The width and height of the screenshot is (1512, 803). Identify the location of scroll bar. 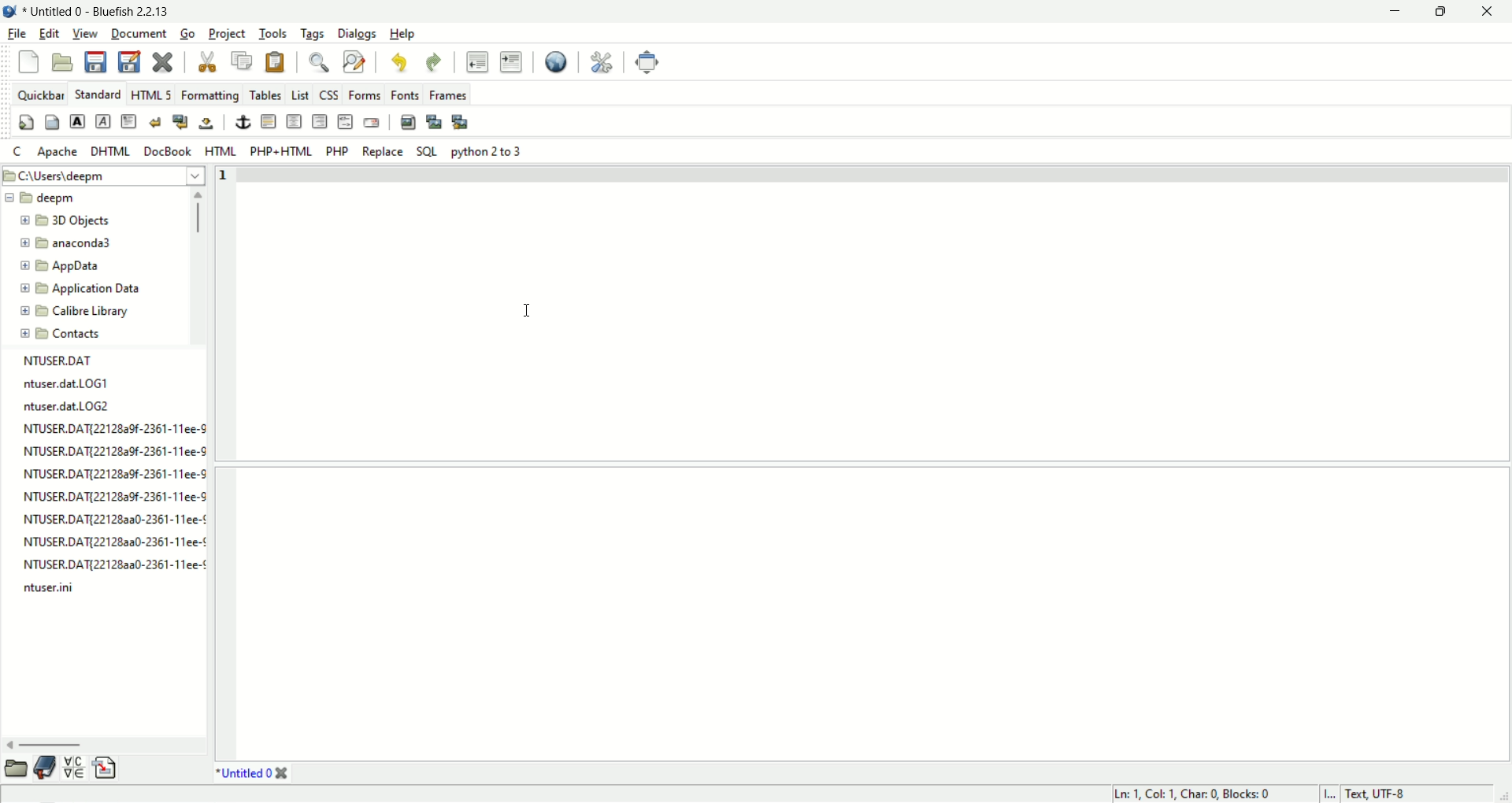
(199, 268).